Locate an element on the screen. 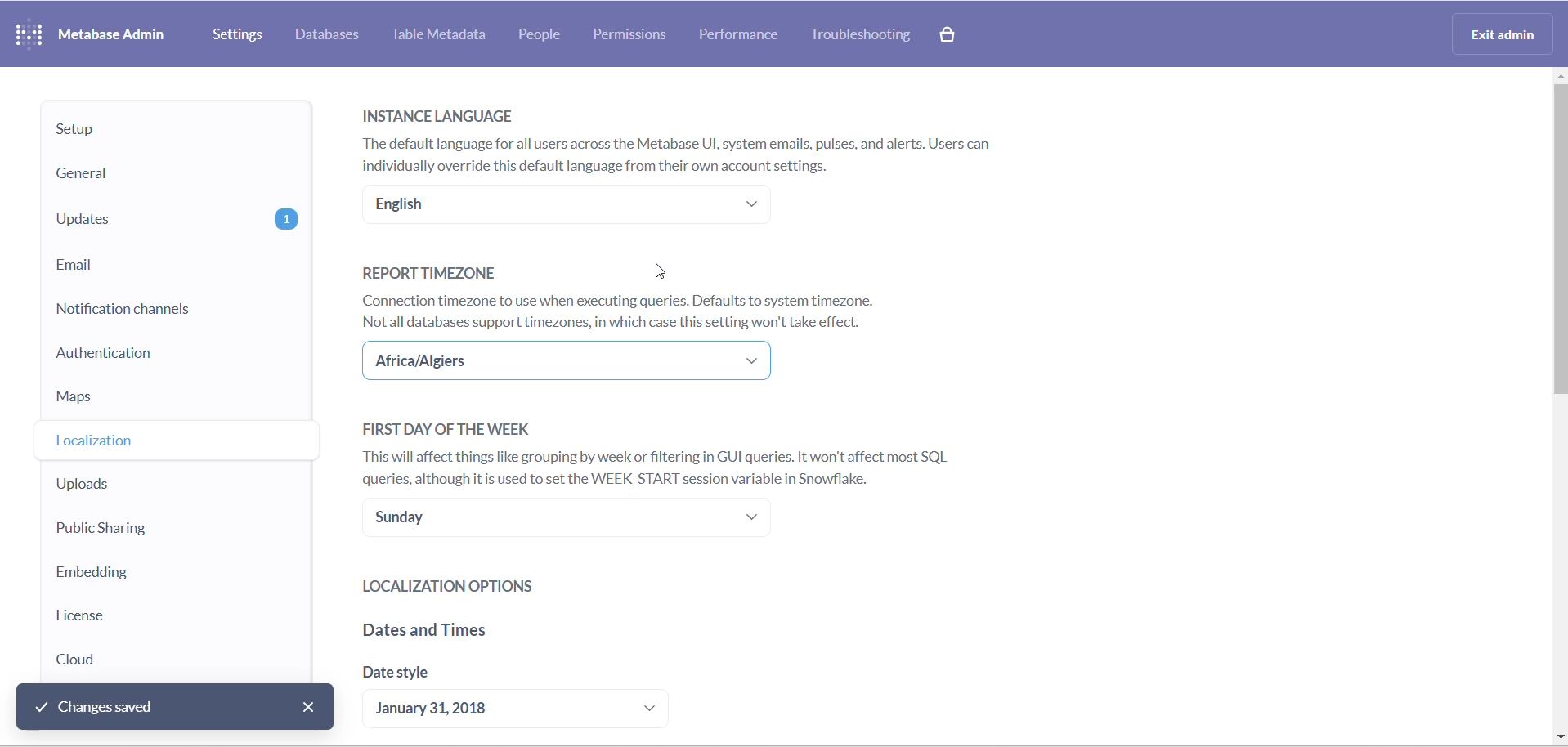 This screenshot has width=1568, height=747. EXIT ADMIN is located at coordinates (1507, 33).